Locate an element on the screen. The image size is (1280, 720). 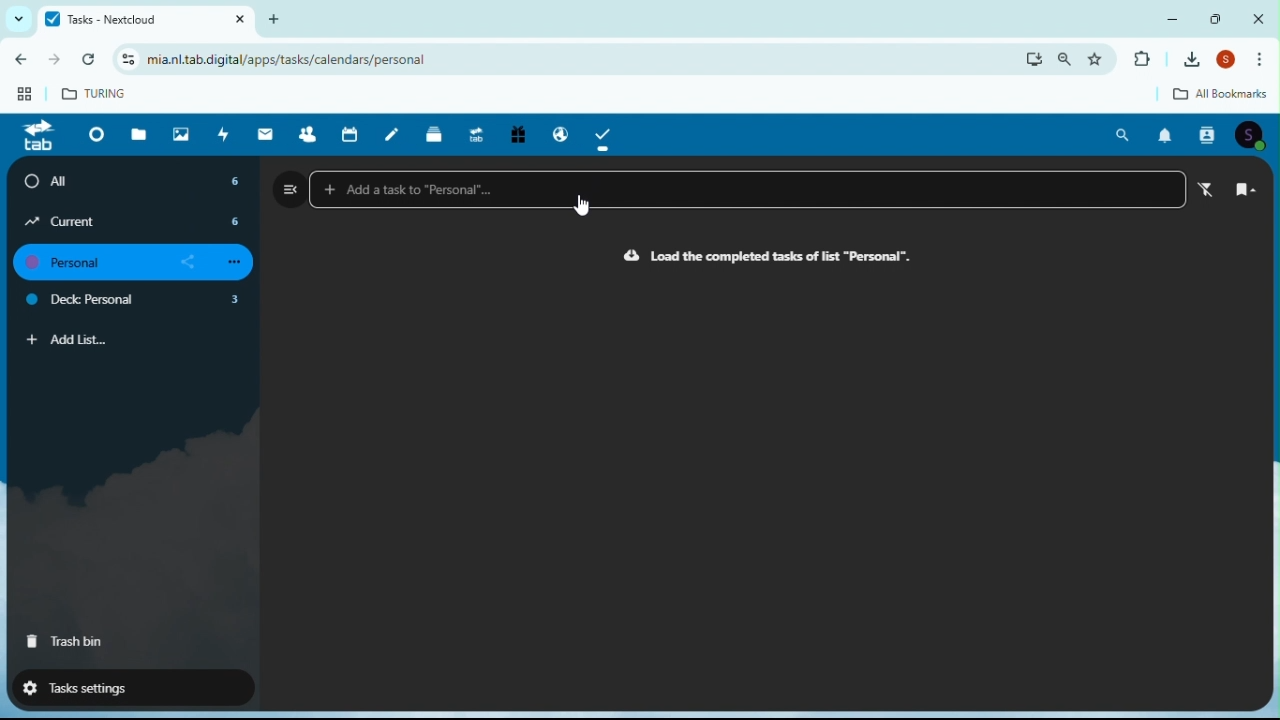
Notes is located at coordinates (396, 133).